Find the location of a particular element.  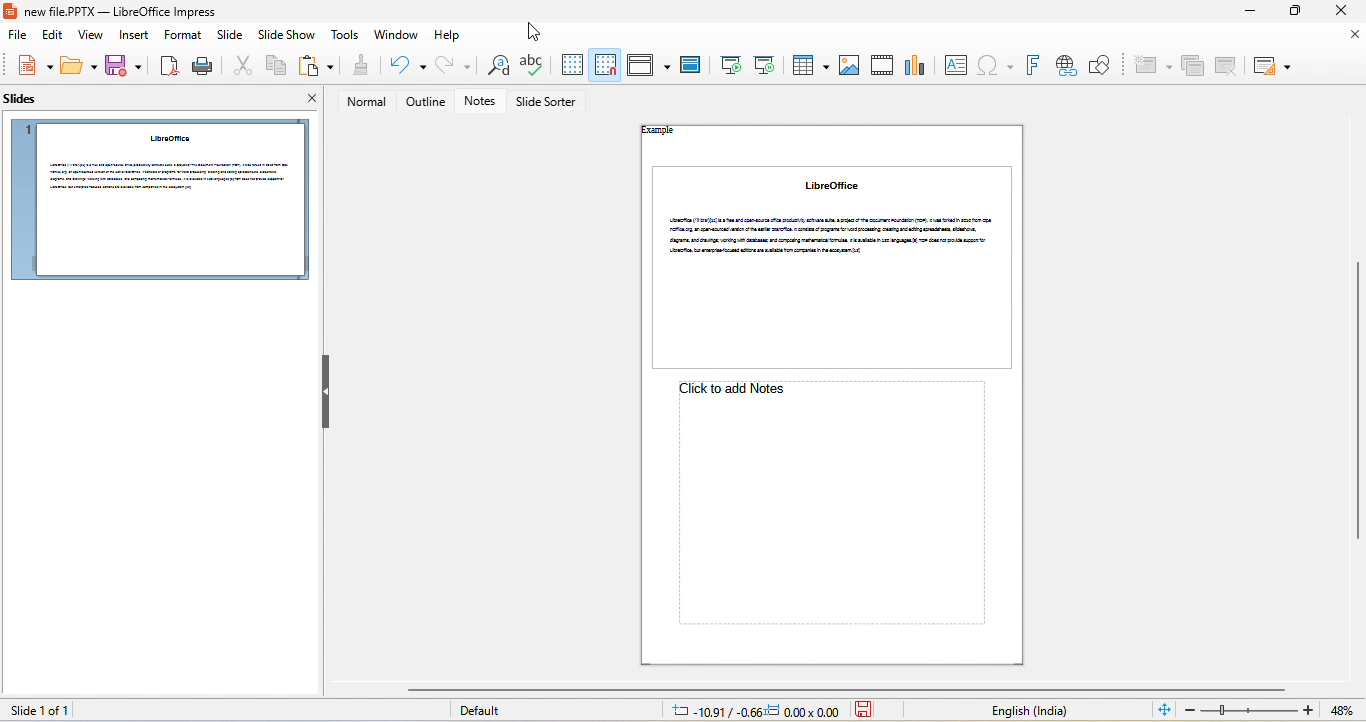

slide show is located at coordinates (287, 37).